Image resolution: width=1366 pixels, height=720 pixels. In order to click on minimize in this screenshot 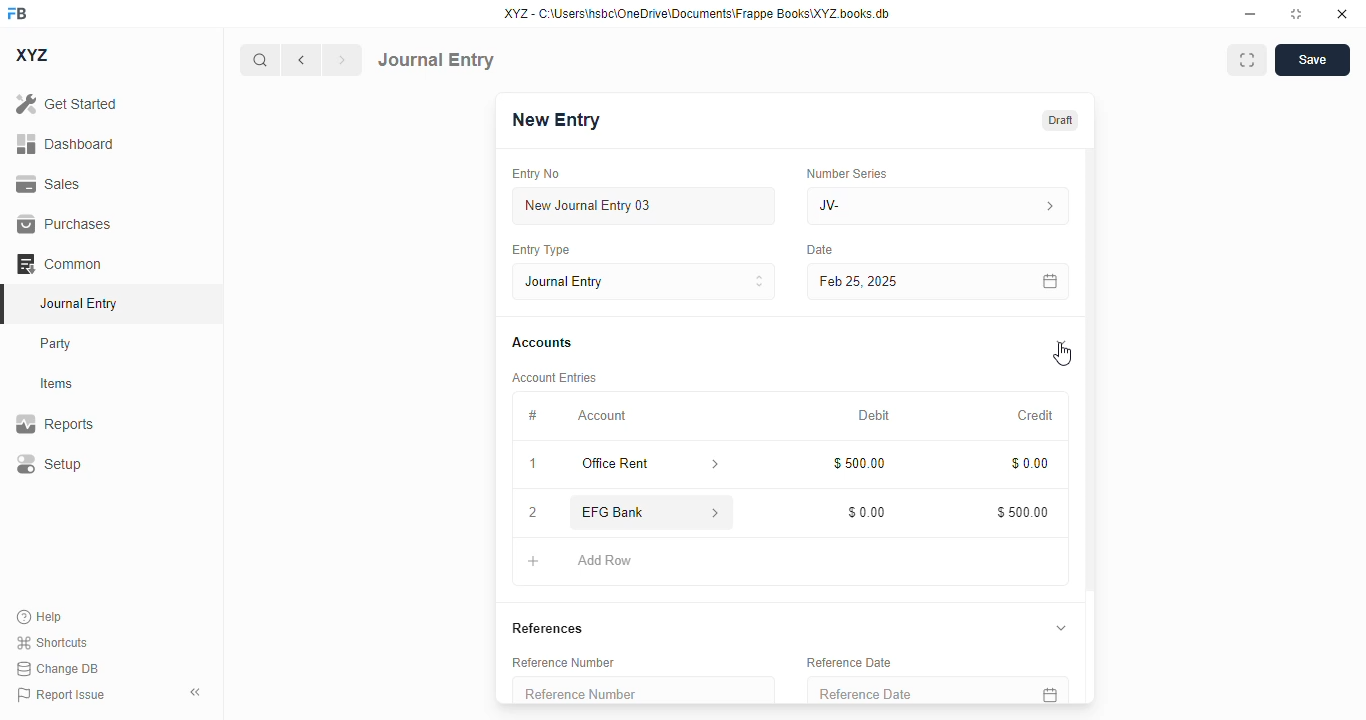, I will do `click(1251, 13)`.